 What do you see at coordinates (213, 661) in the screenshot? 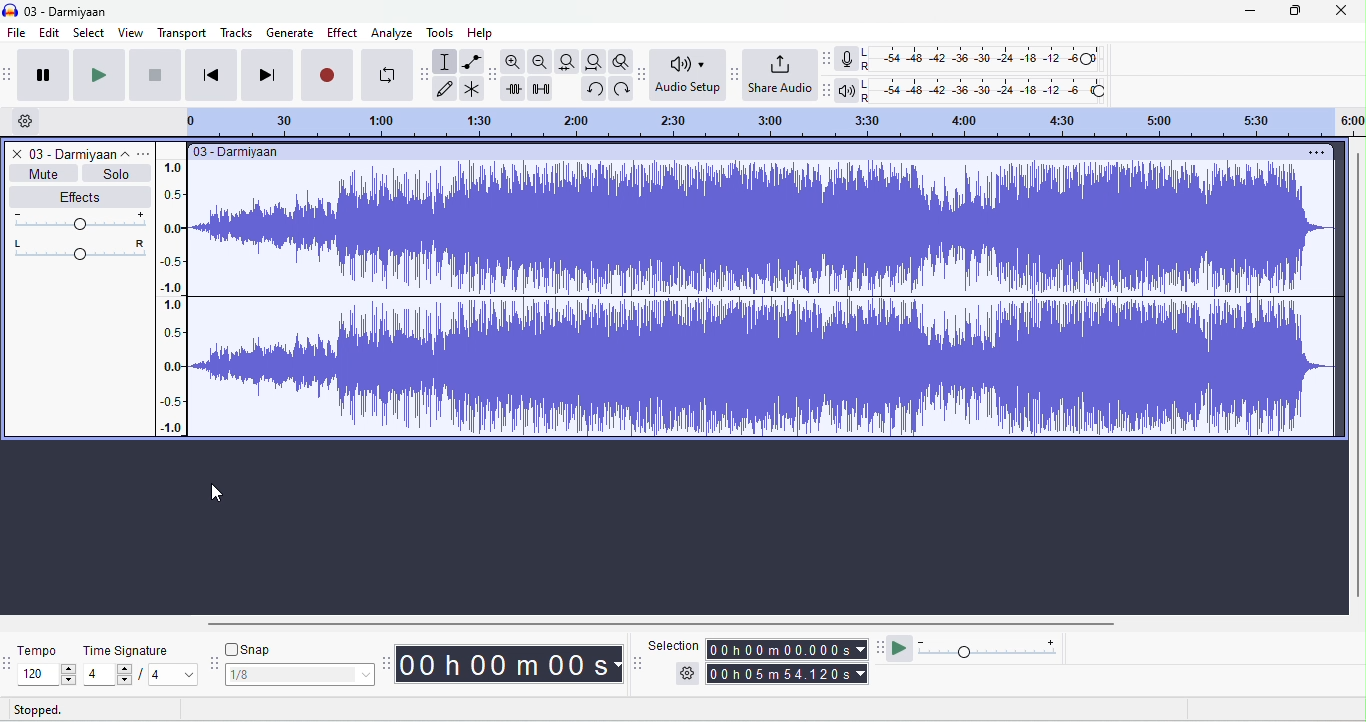
I see `snap options` at bounding box center [213, 661].